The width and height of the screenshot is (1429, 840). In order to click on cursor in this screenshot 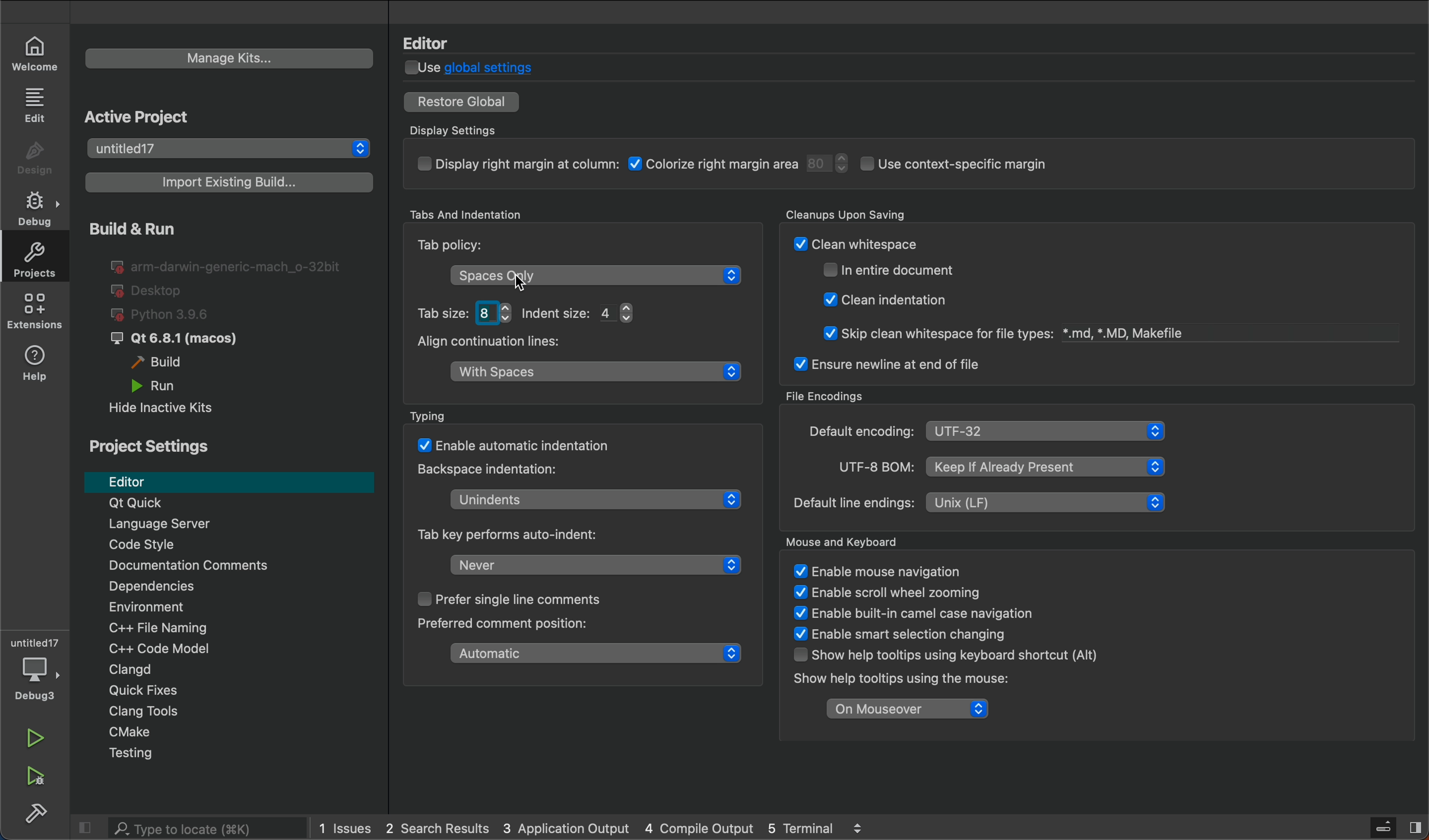, I will do `click(517, 285)`.